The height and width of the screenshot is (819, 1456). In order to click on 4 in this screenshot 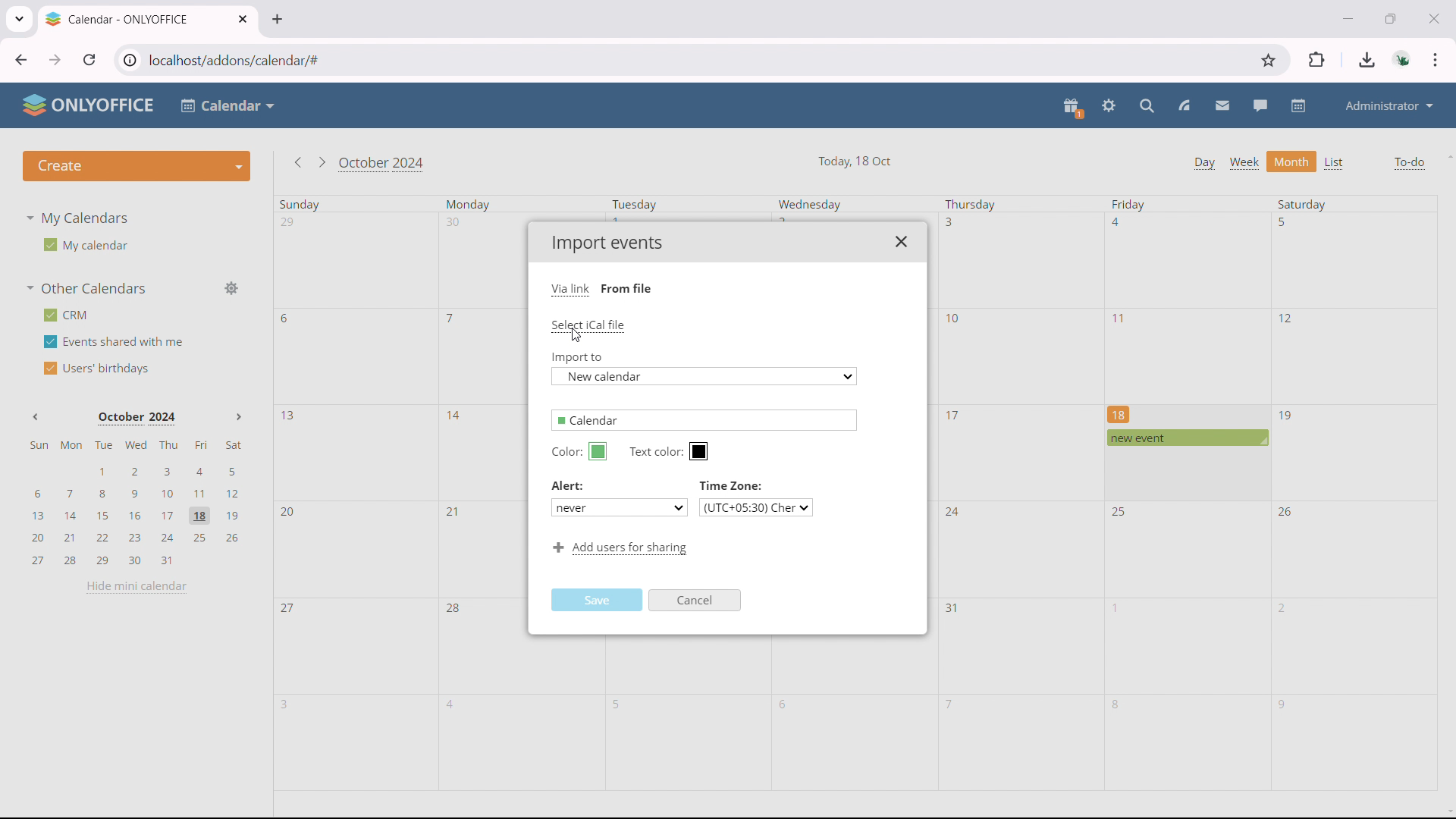, I will do `click(1119, 222)`.